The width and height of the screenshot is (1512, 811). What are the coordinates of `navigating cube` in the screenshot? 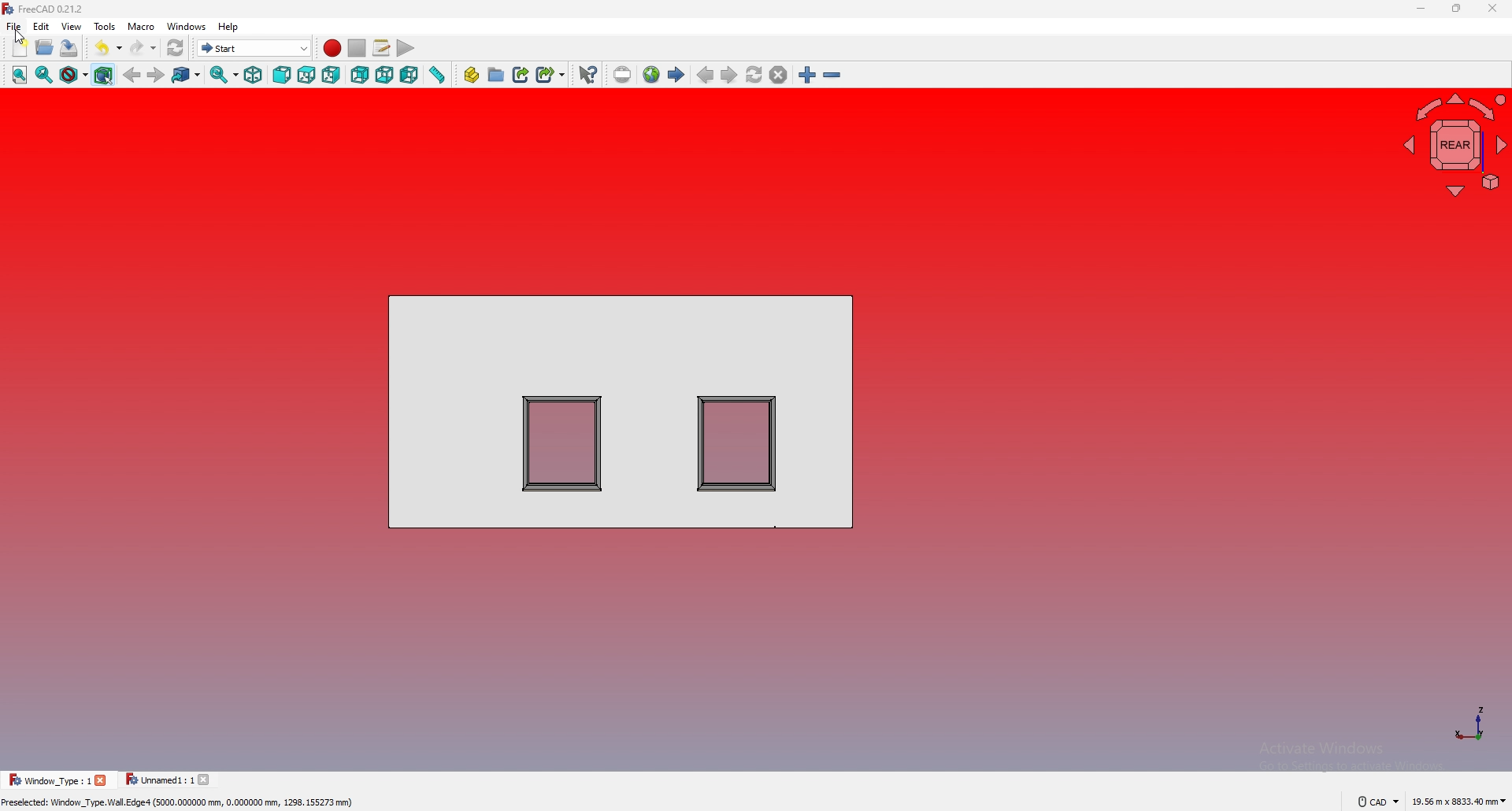 It's located at (1455, 142).